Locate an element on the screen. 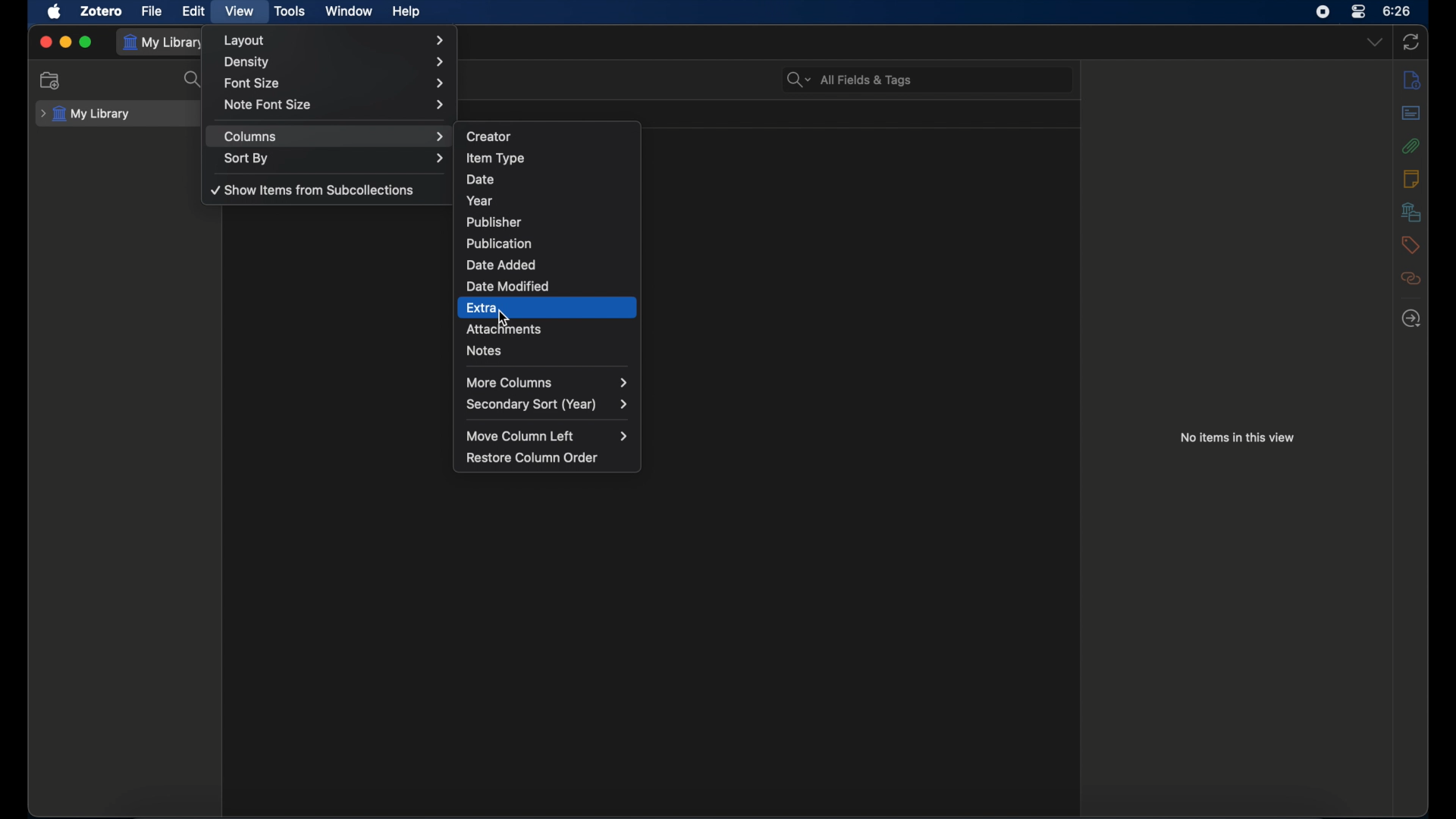  secondary sort is located at coordinates (547, 405).